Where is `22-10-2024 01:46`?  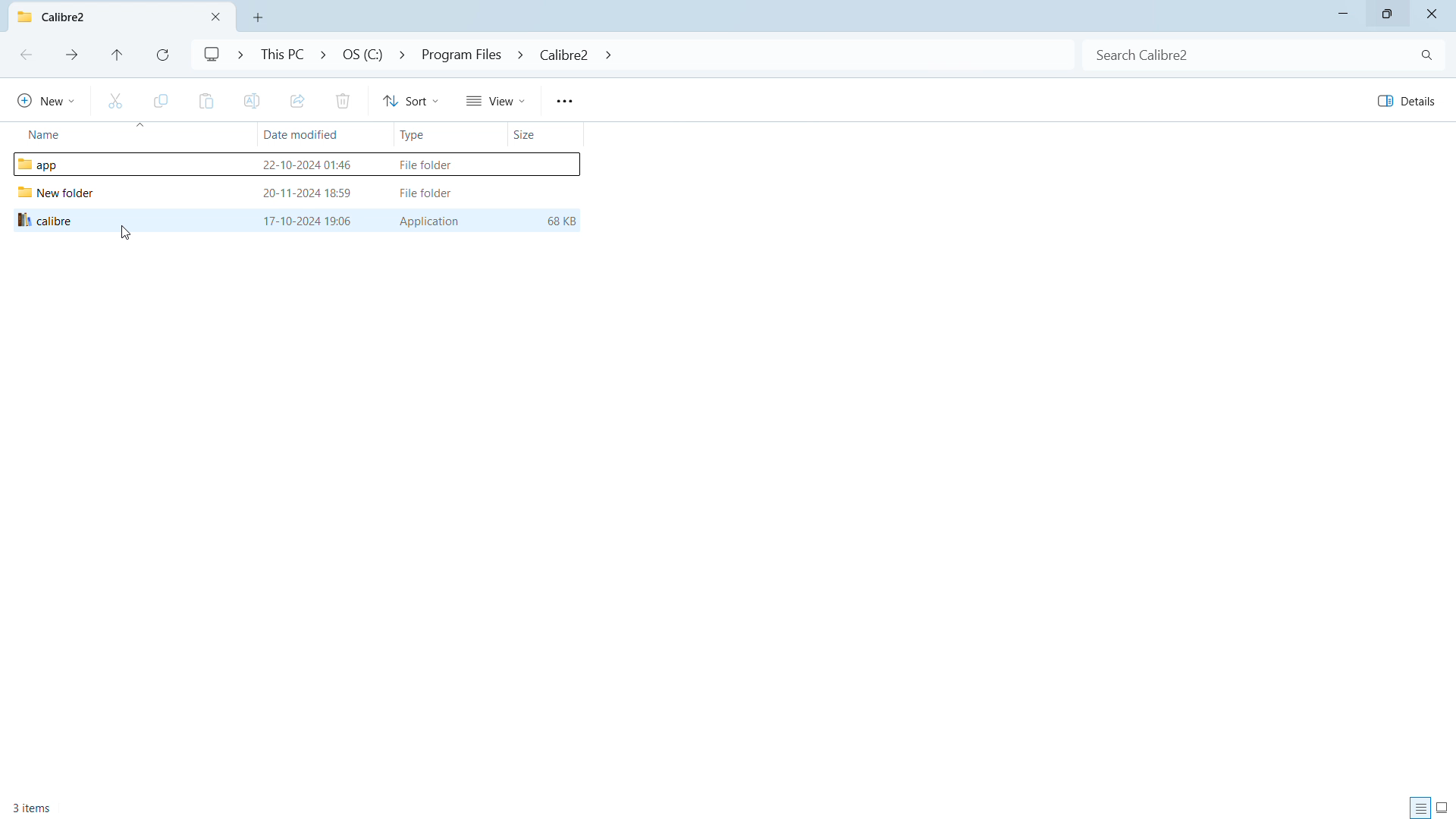 22-10-2024 01:46 is located at coordinates (309, 166).